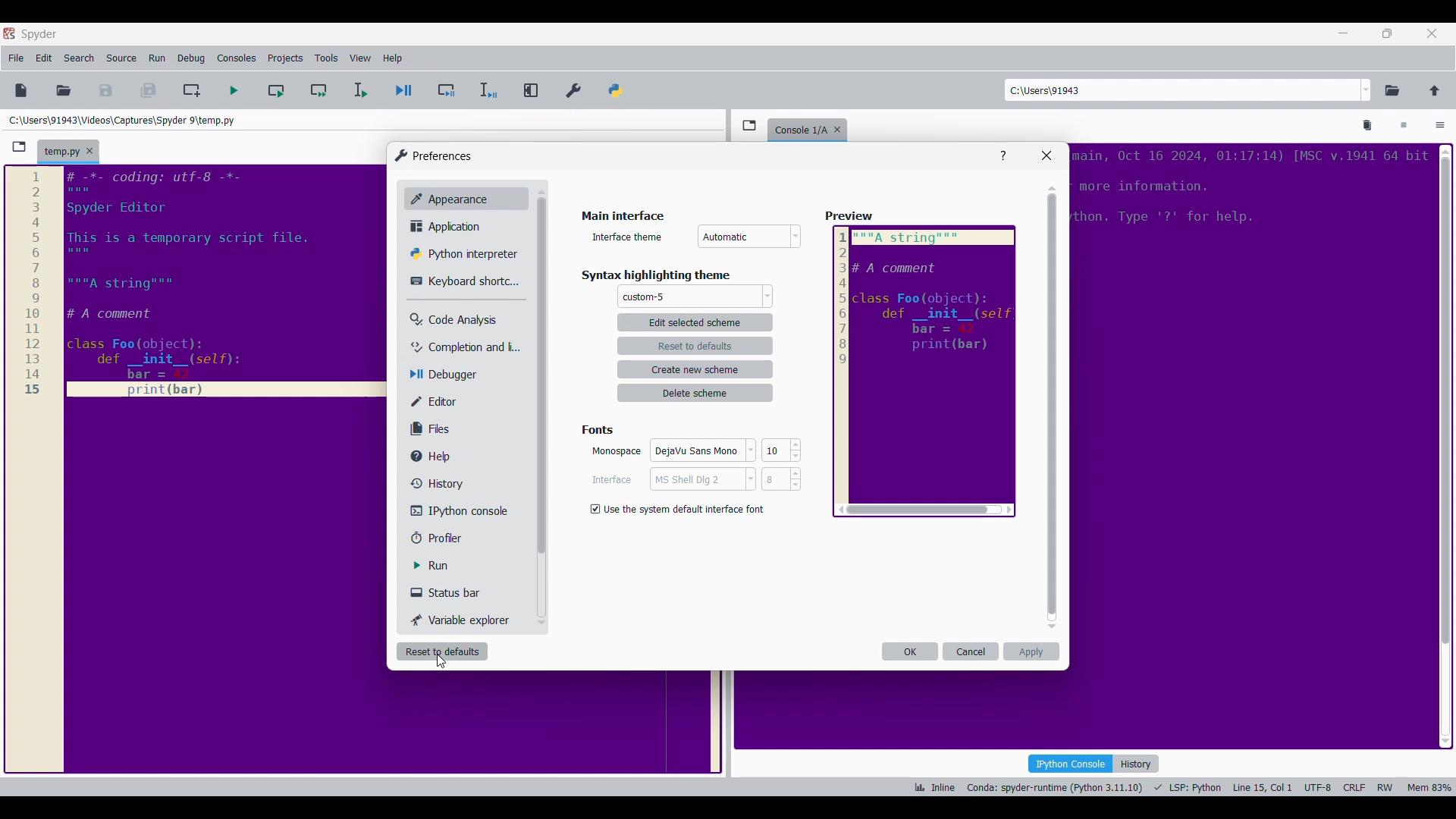 The image size is (1456, 819). Describe the element at coordinates (488, 90) in the screenshot. I see `Debug selection/current line` at that location.